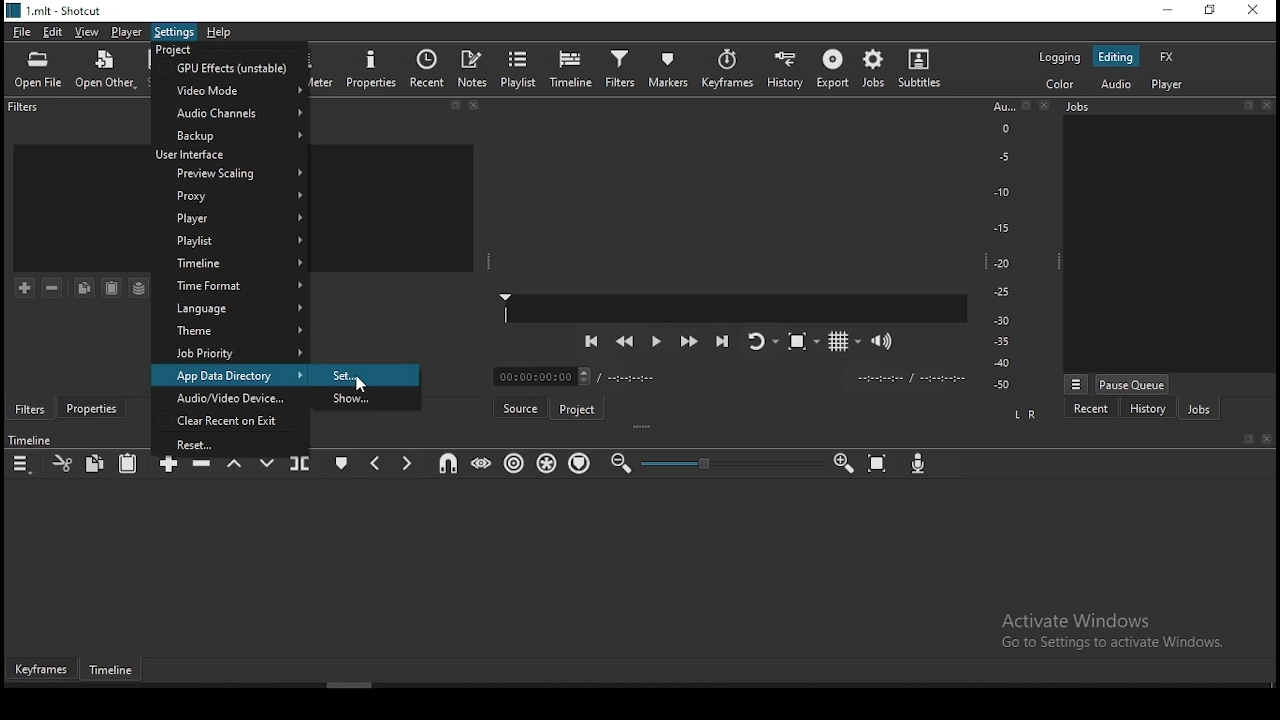  What do you see at coordinates (26, 289) in the screenshot?
I see `add a filter` at bounding box center [26, 289].